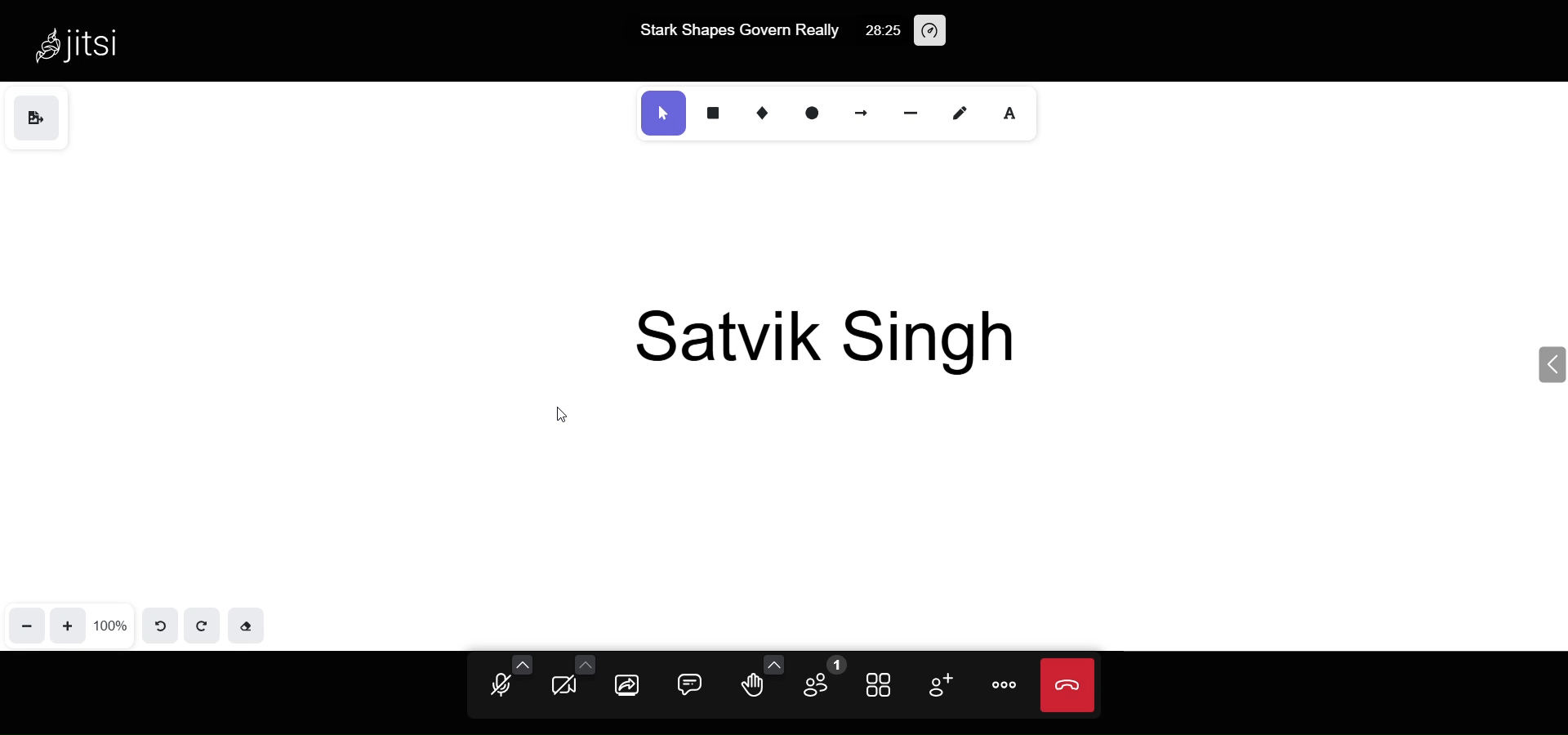  I want to click on tile view, so click(878, 686).